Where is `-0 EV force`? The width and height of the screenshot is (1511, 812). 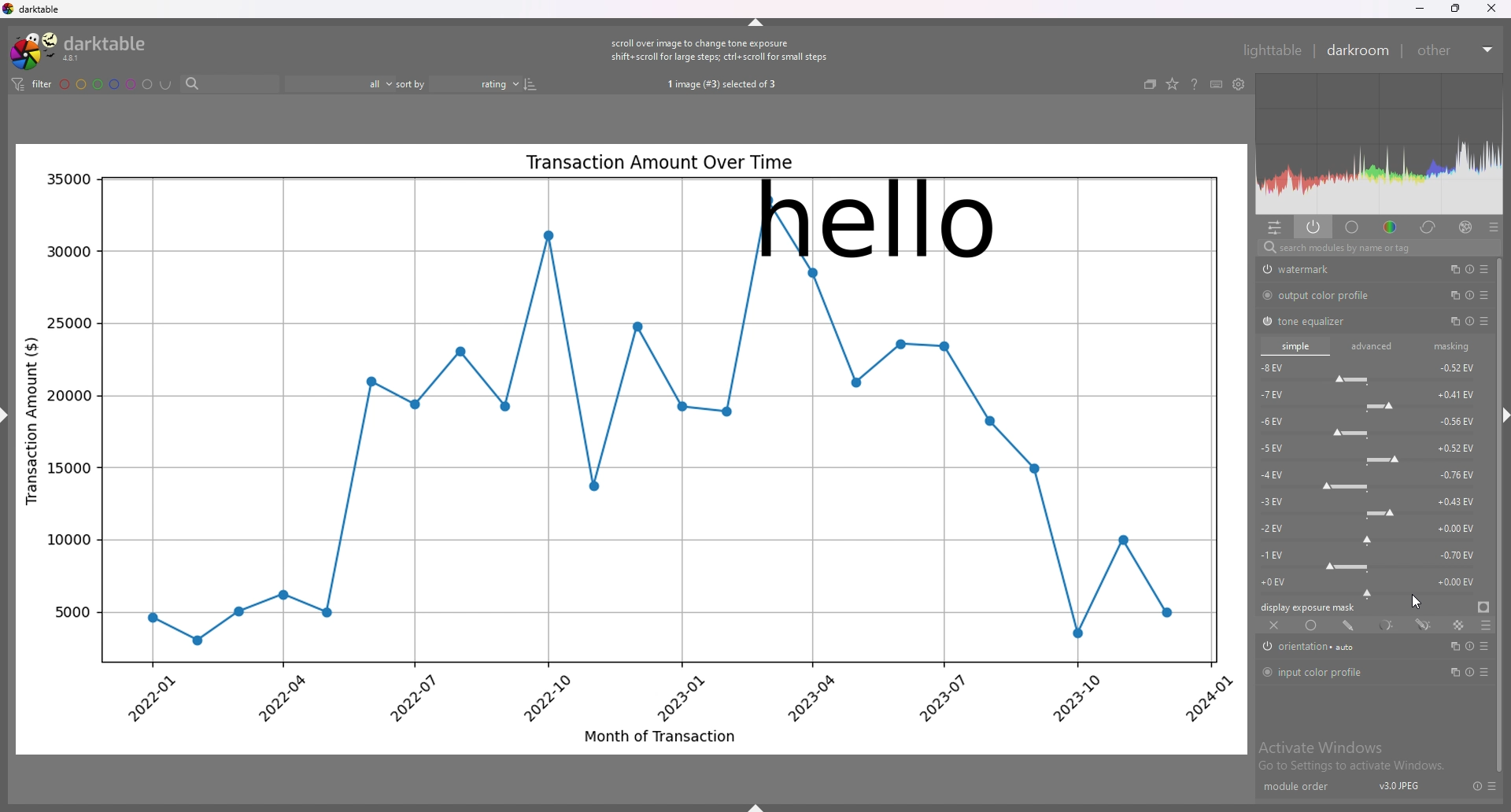
-0 EV force is located at coordinates (1372, 585).